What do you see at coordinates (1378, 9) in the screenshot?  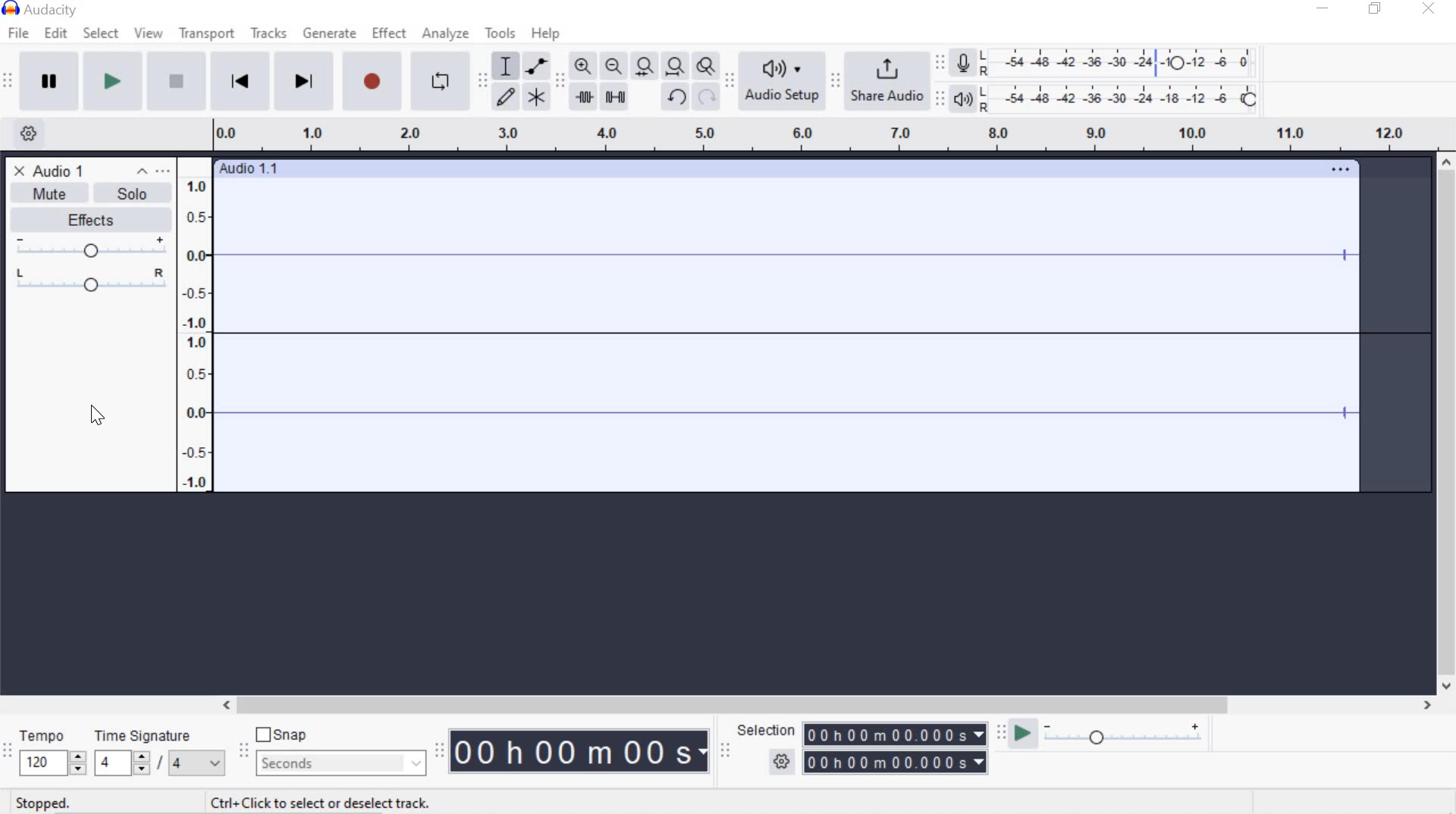 I see `restore down` at bounding box center [1378, 9].